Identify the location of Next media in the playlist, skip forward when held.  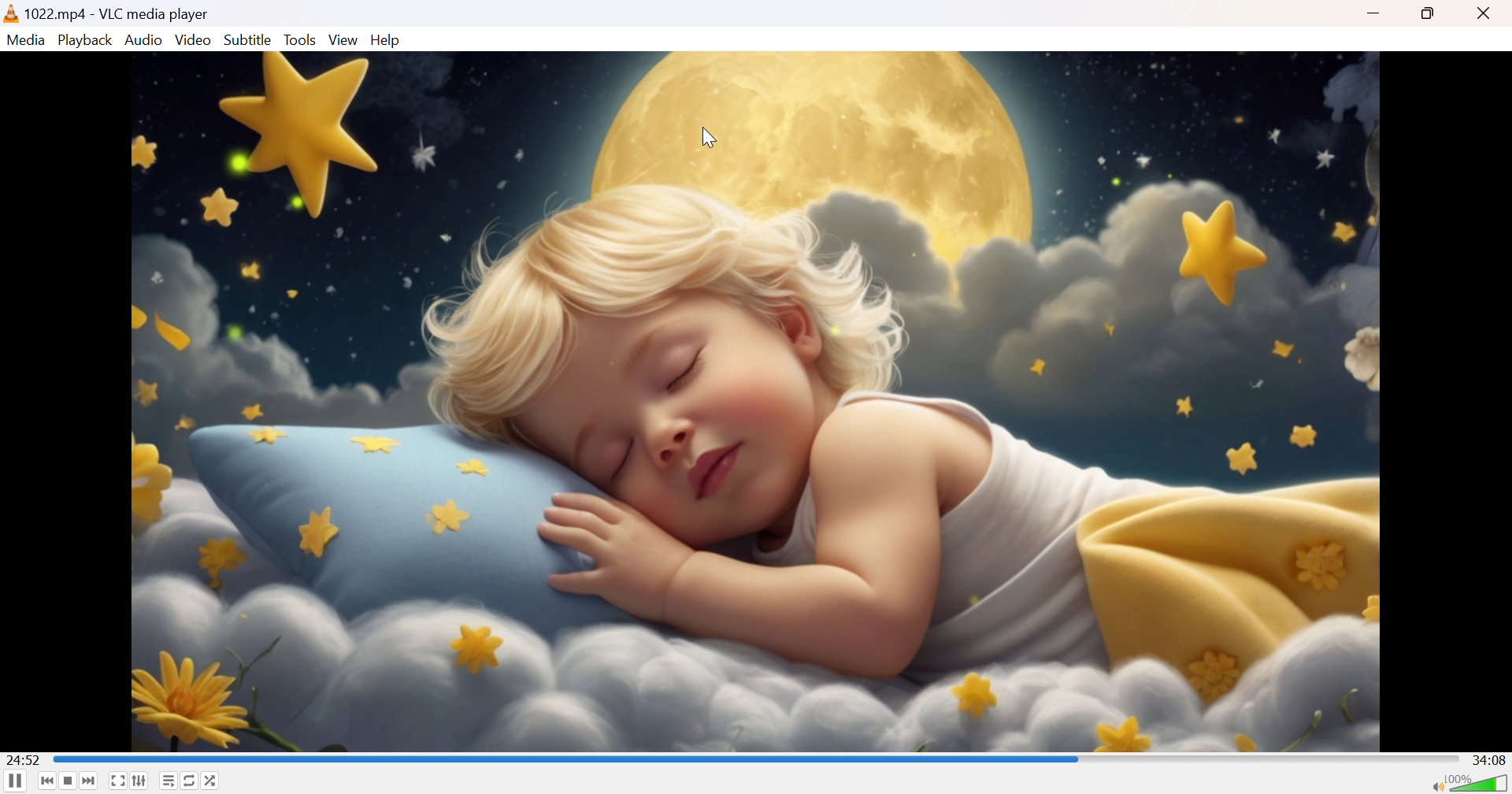
(90, 782).